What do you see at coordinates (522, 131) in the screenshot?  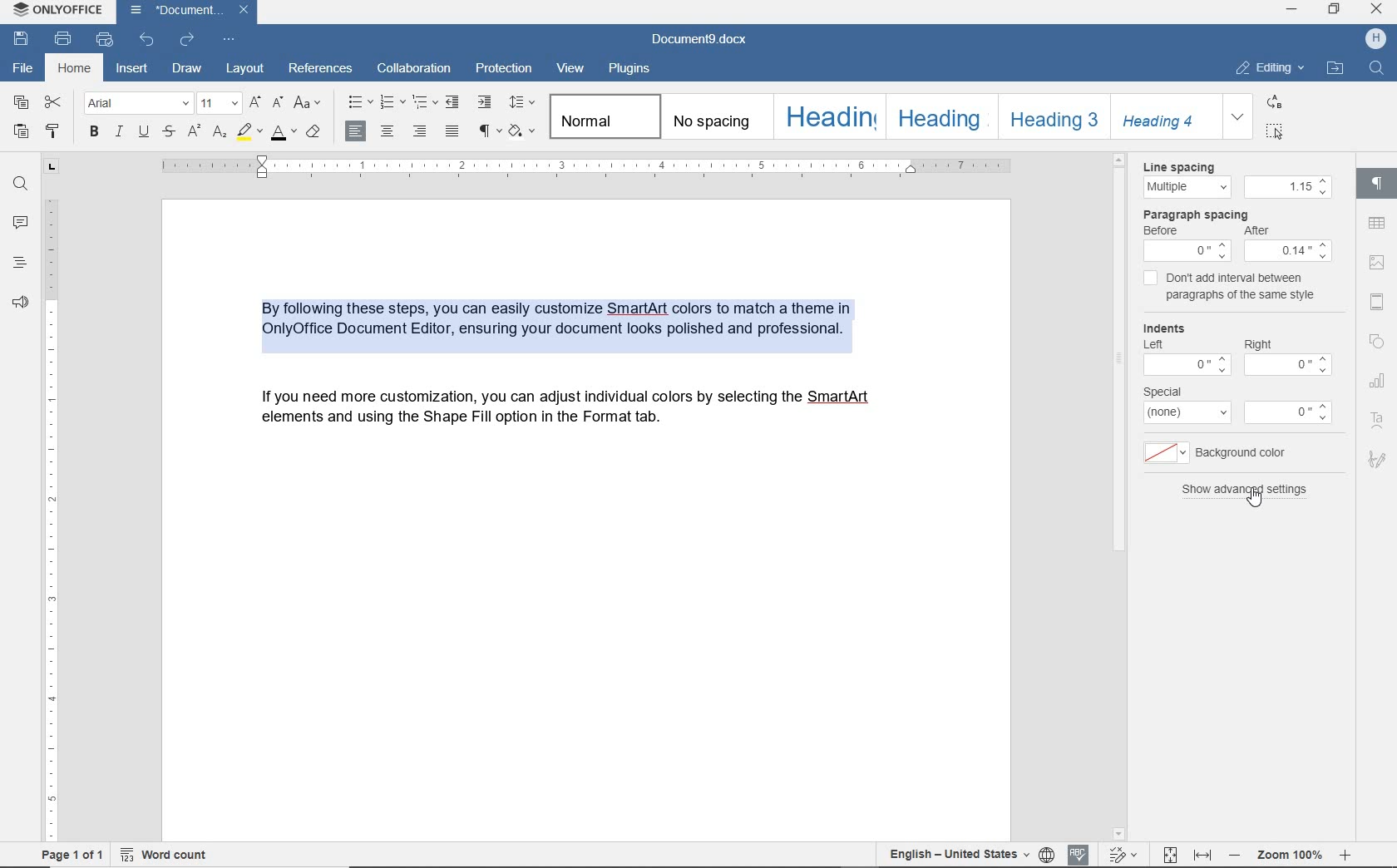 I see `shading` at bounding box center [522, 131].